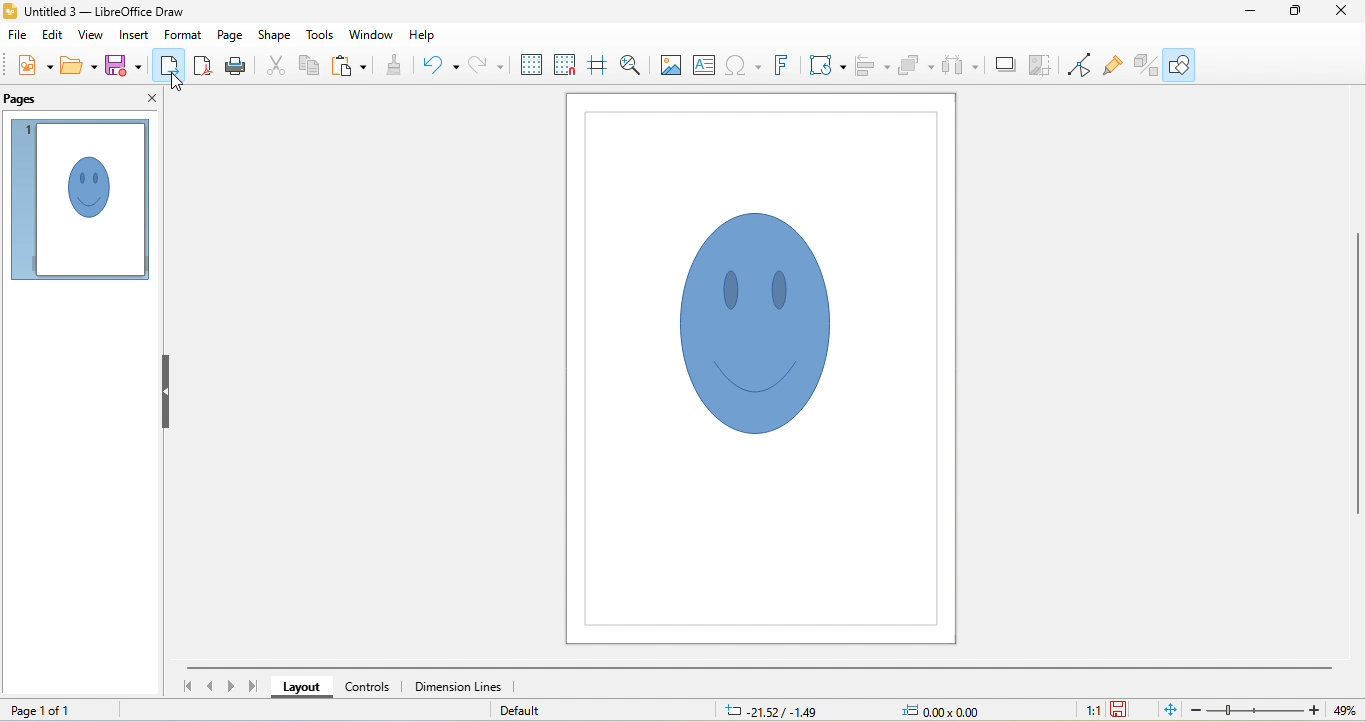  Describe the element at coordinates (126, 64) in the screenshot. I see `save` at that location.